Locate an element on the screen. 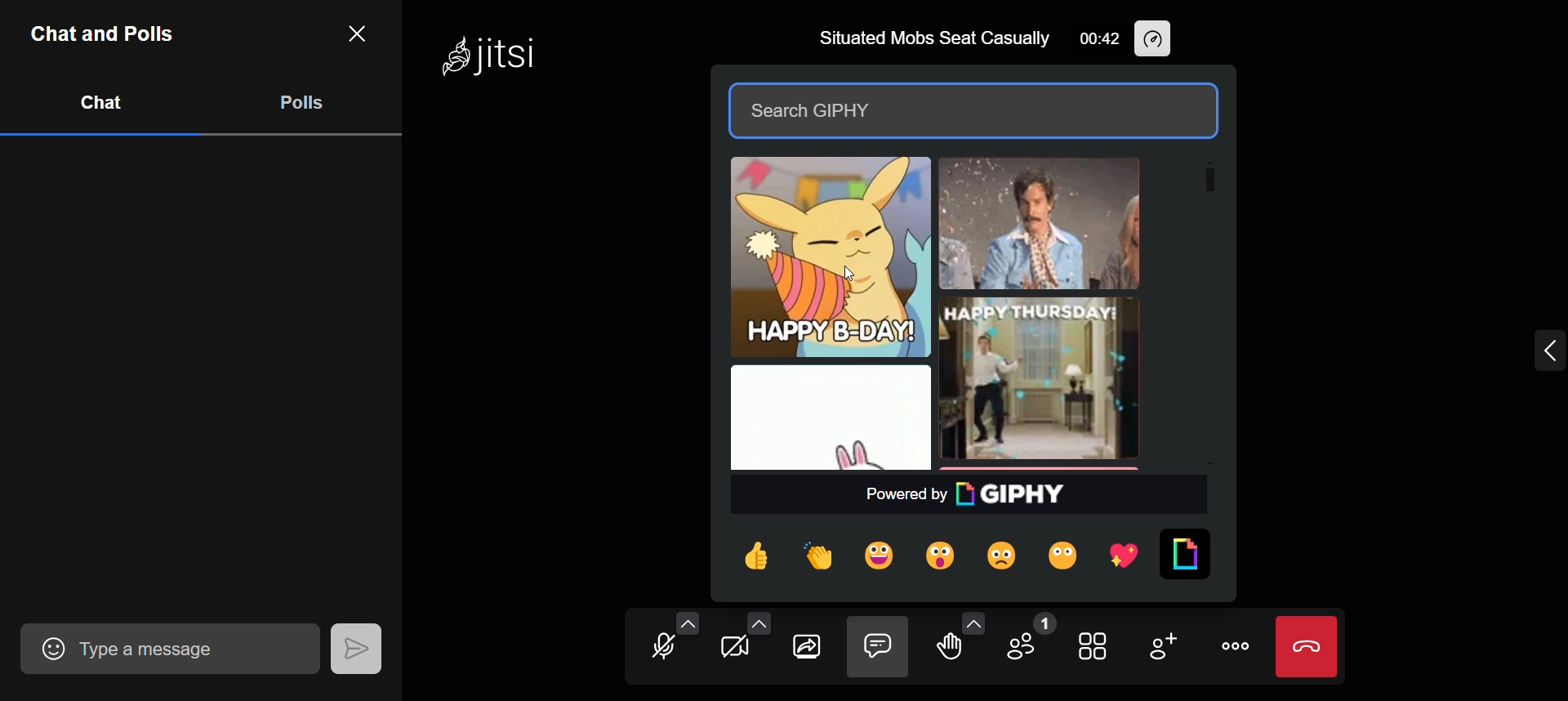  heart reaction is located at coordinates (1122, 556).